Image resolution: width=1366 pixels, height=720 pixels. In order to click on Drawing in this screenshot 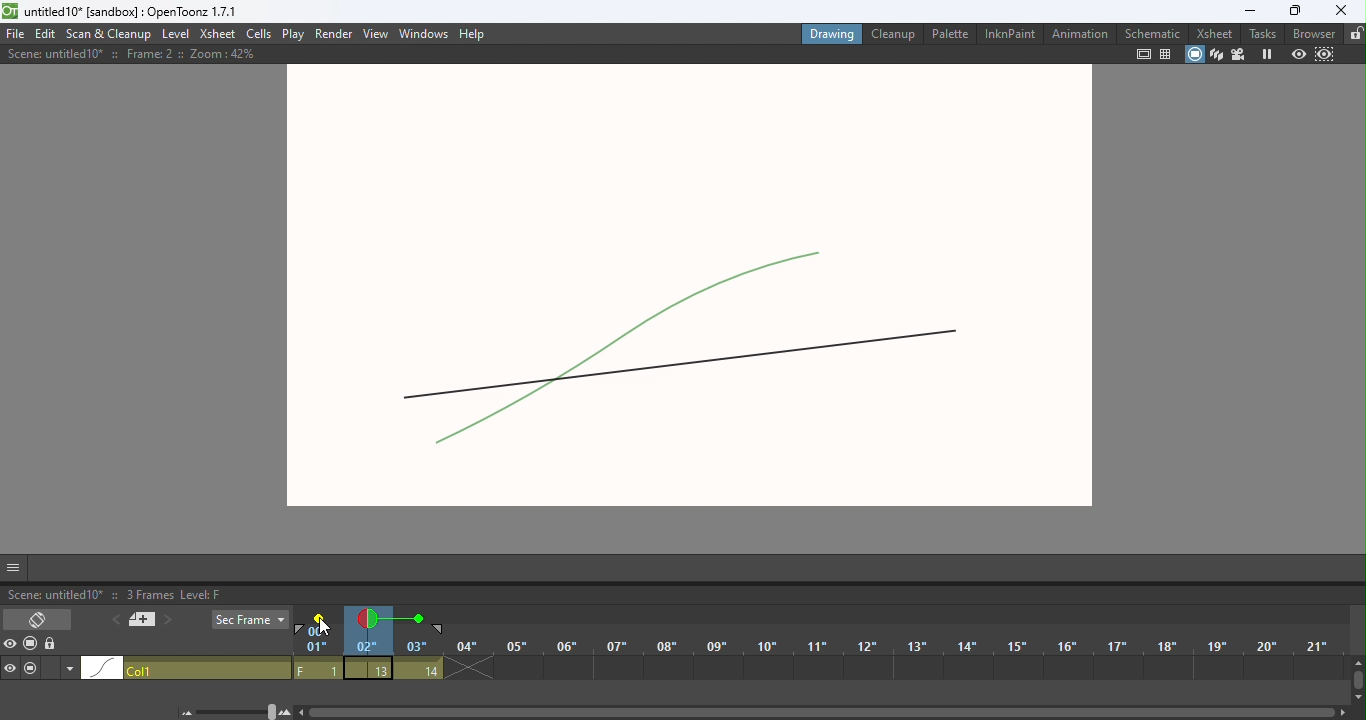, I will do `click(831, 33)`.